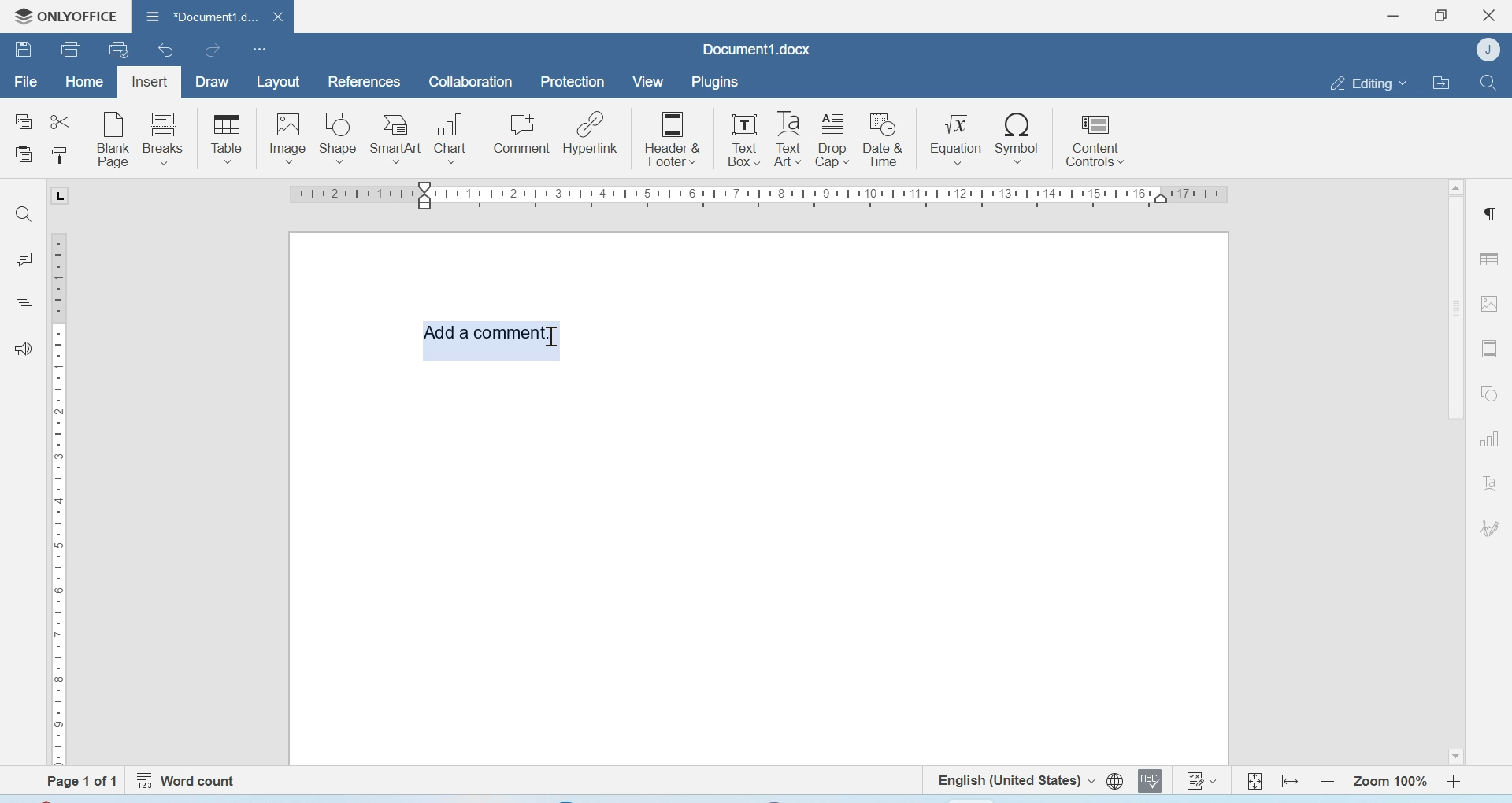 The height and width of the screenshot is (803, 1512). Describe the element at coordinates (119, 49) in the screenshot. I see `Quick print` at that location.